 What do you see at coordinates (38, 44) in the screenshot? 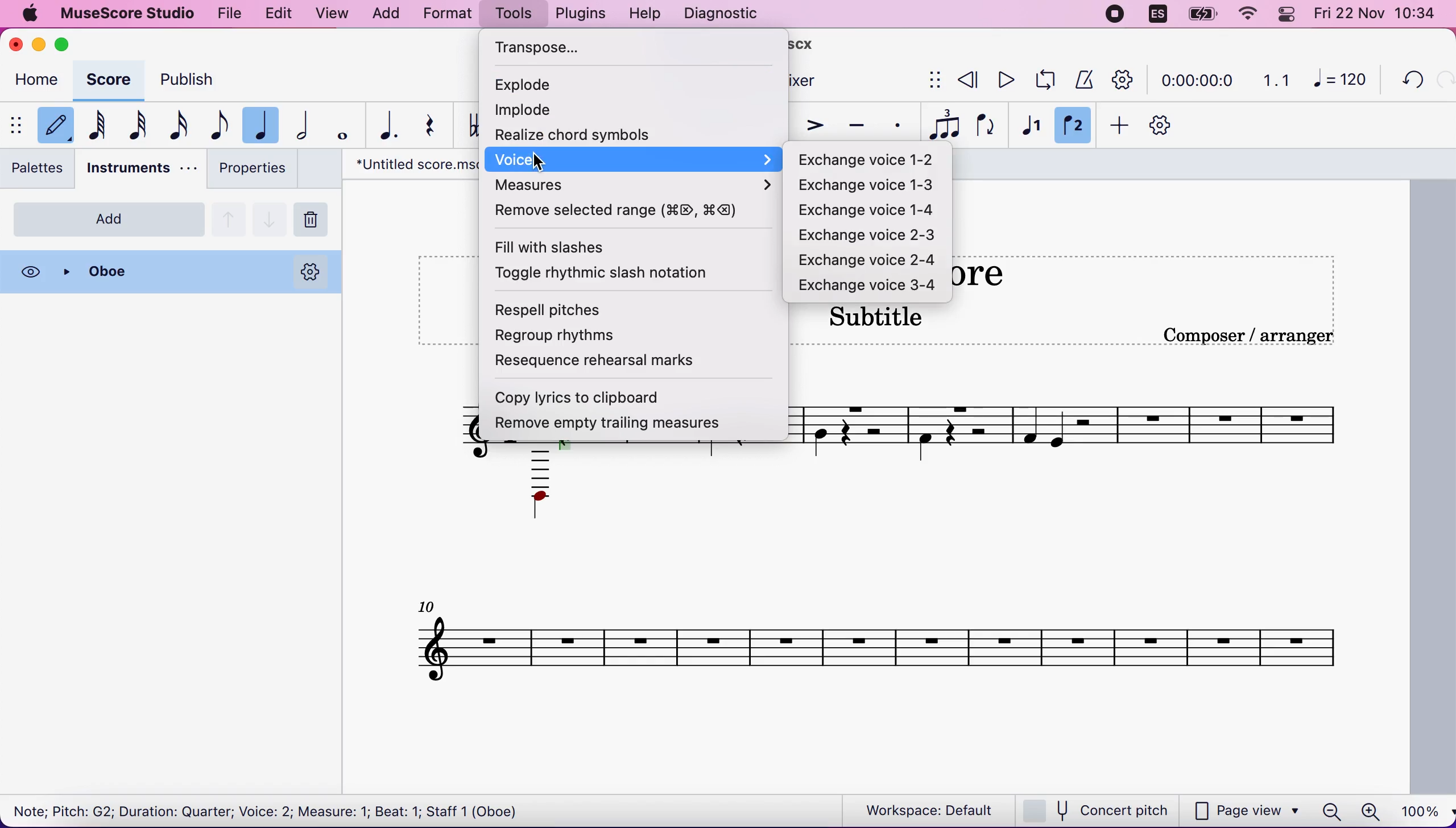
I see `minimize` at bounding box center [38, 44].